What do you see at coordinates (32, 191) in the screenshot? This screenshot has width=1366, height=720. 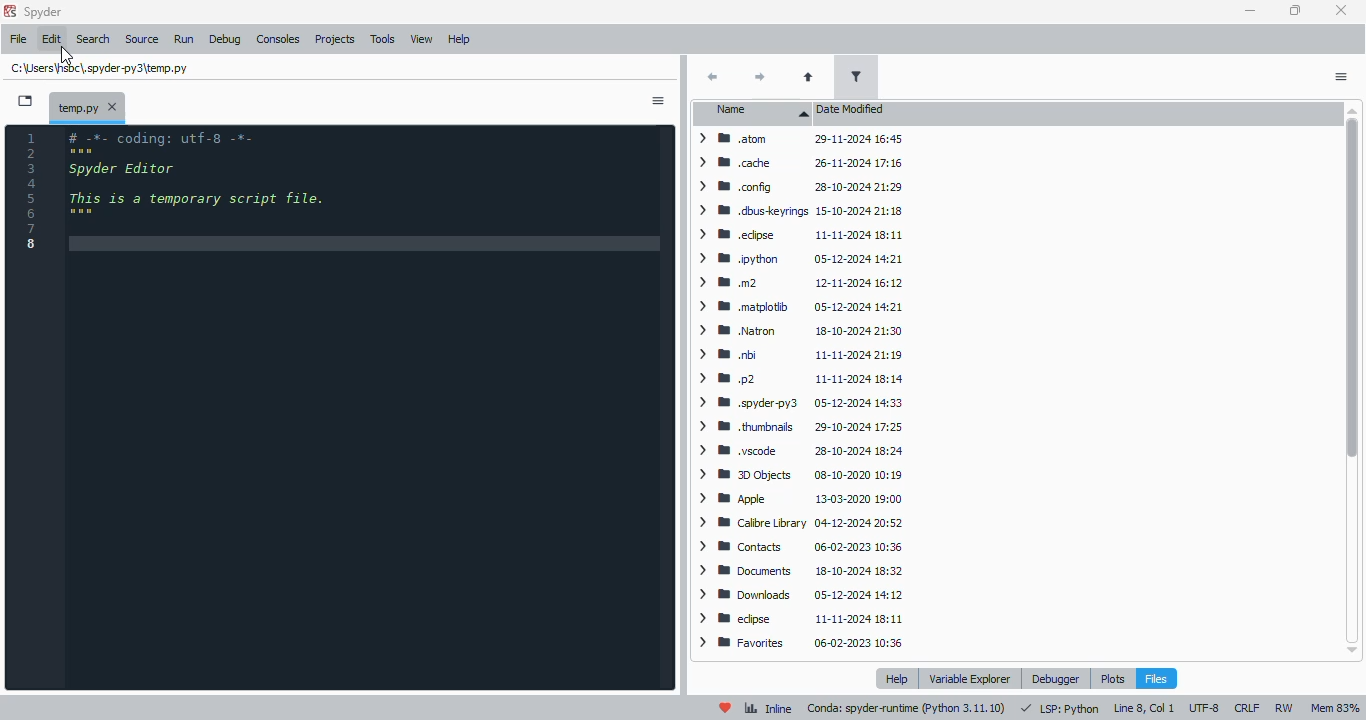 I see `line numbers` at bounding box center [32, 191].